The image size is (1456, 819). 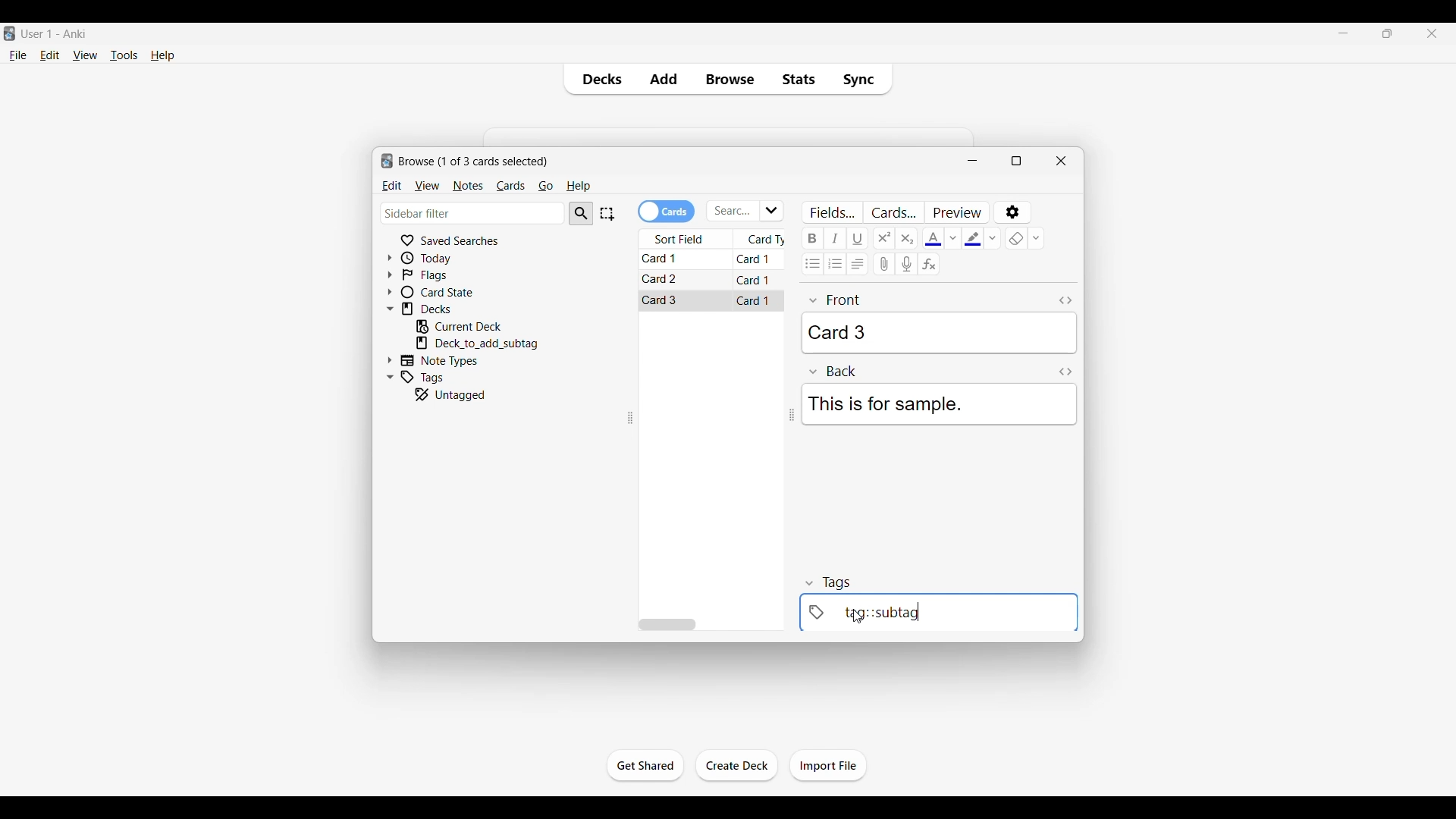 I want to click on Number of cards to browse and window name, so click(x=473, y=162).